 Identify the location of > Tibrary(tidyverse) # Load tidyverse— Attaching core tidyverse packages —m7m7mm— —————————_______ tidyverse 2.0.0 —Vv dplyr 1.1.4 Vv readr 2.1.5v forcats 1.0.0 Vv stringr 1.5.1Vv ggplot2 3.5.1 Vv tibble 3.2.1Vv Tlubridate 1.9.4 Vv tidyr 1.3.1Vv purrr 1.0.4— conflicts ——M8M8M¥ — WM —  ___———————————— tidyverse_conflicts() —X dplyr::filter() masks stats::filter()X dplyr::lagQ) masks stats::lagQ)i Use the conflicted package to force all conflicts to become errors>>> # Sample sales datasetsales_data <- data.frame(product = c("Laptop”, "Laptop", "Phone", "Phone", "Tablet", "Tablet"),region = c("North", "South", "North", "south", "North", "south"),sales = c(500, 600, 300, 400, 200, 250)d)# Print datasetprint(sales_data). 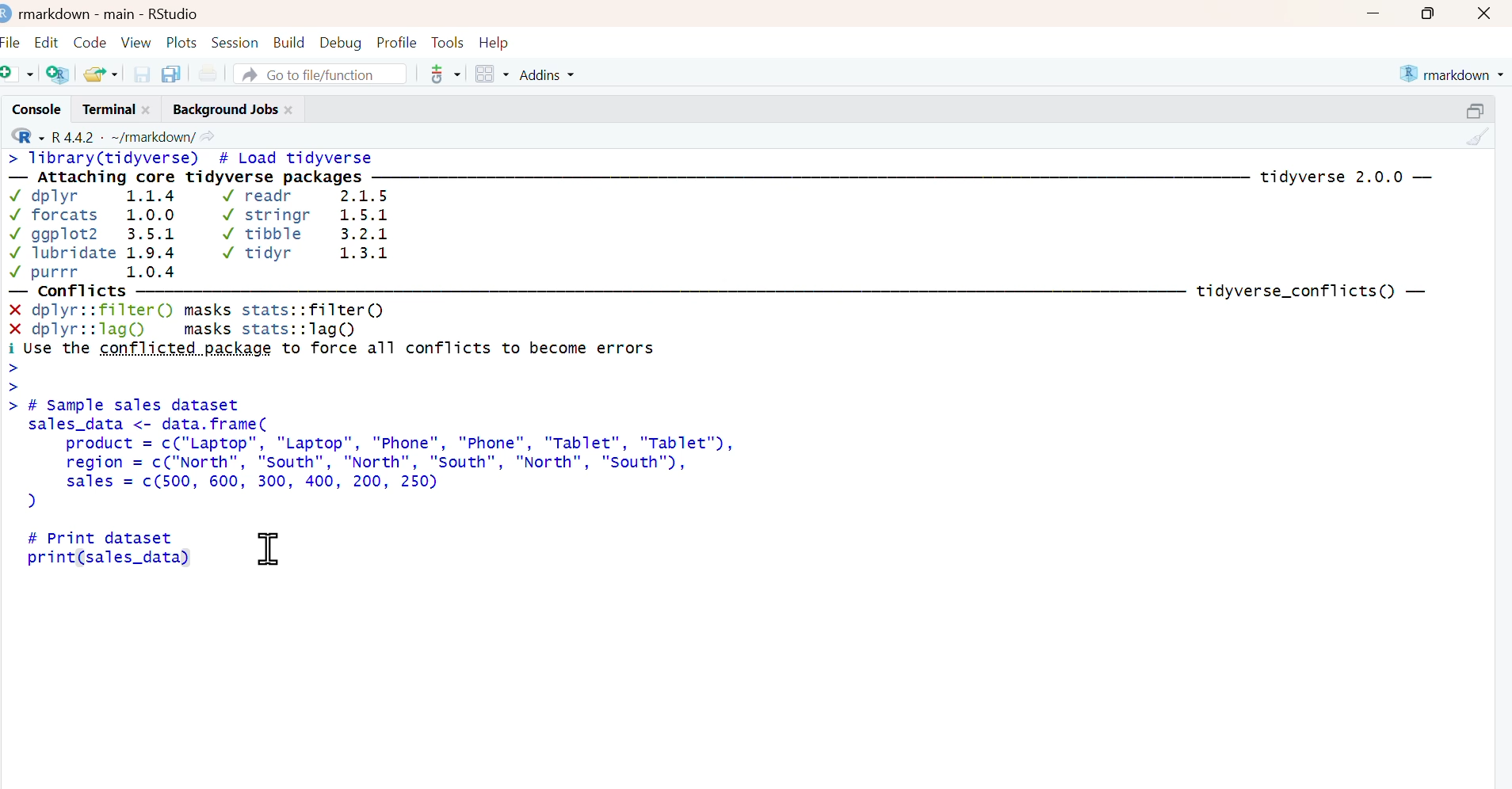
(732, 369).